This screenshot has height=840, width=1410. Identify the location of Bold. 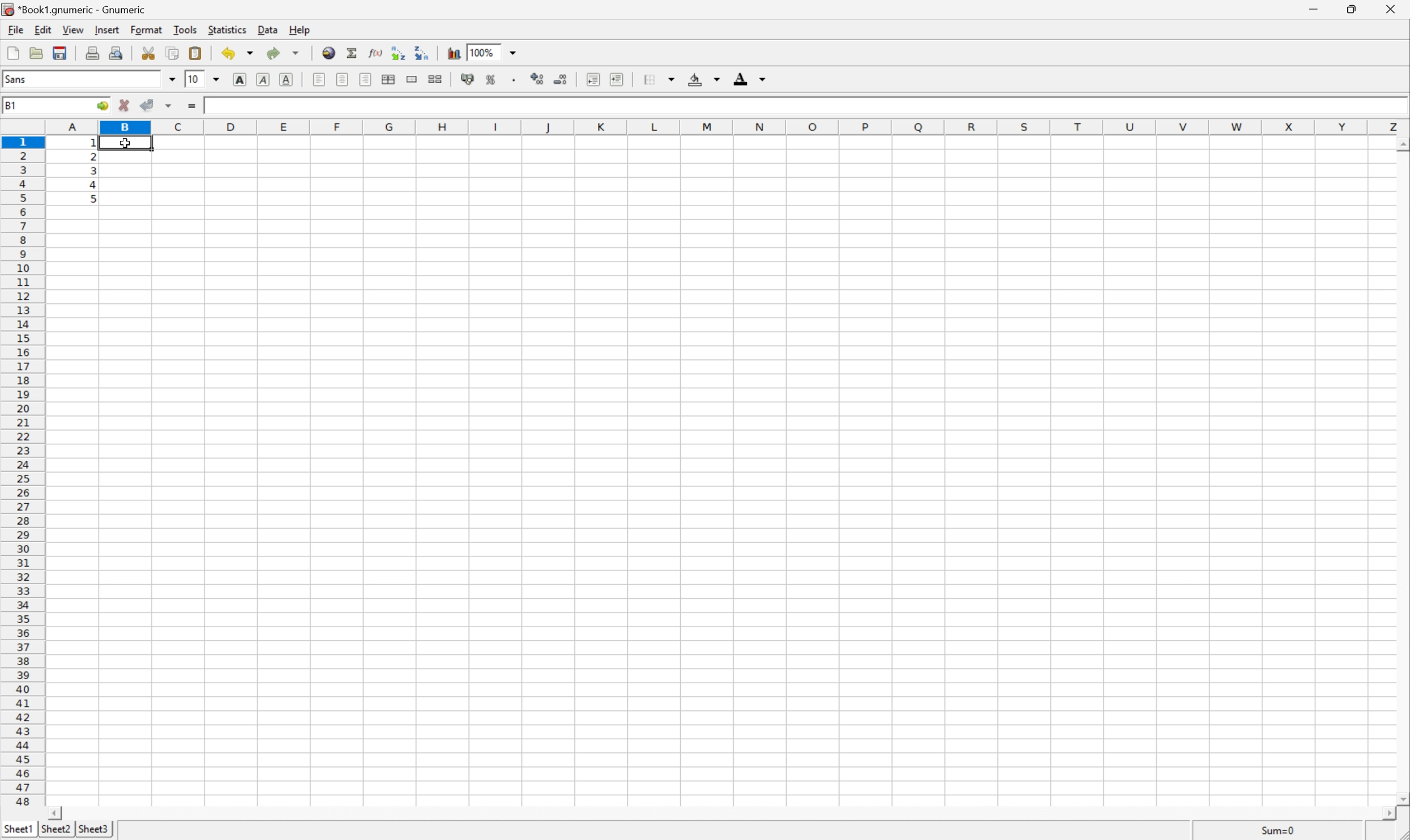
(239, 78).